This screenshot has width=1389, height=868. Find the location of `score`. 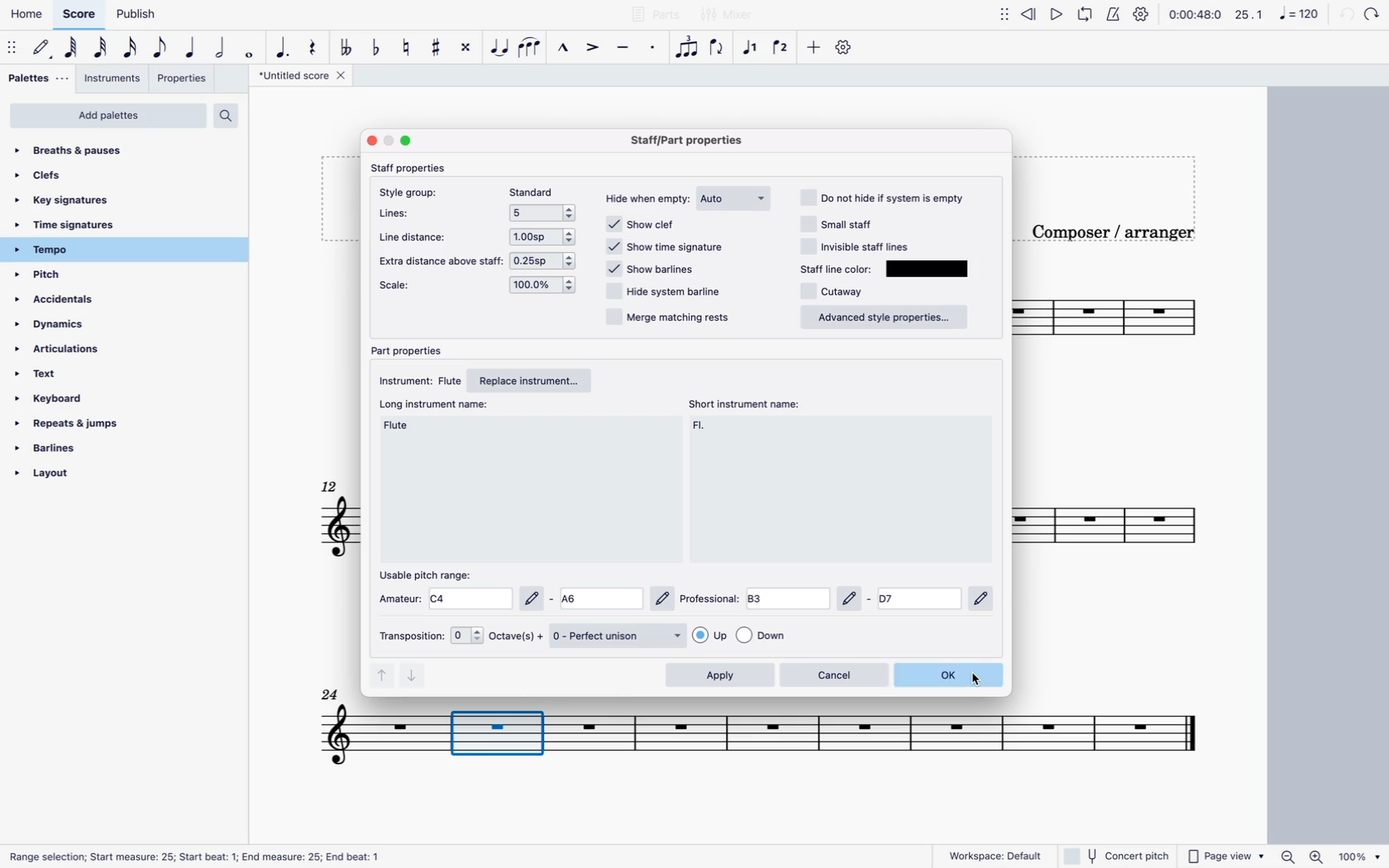

score is located at coordinates (326, 727).